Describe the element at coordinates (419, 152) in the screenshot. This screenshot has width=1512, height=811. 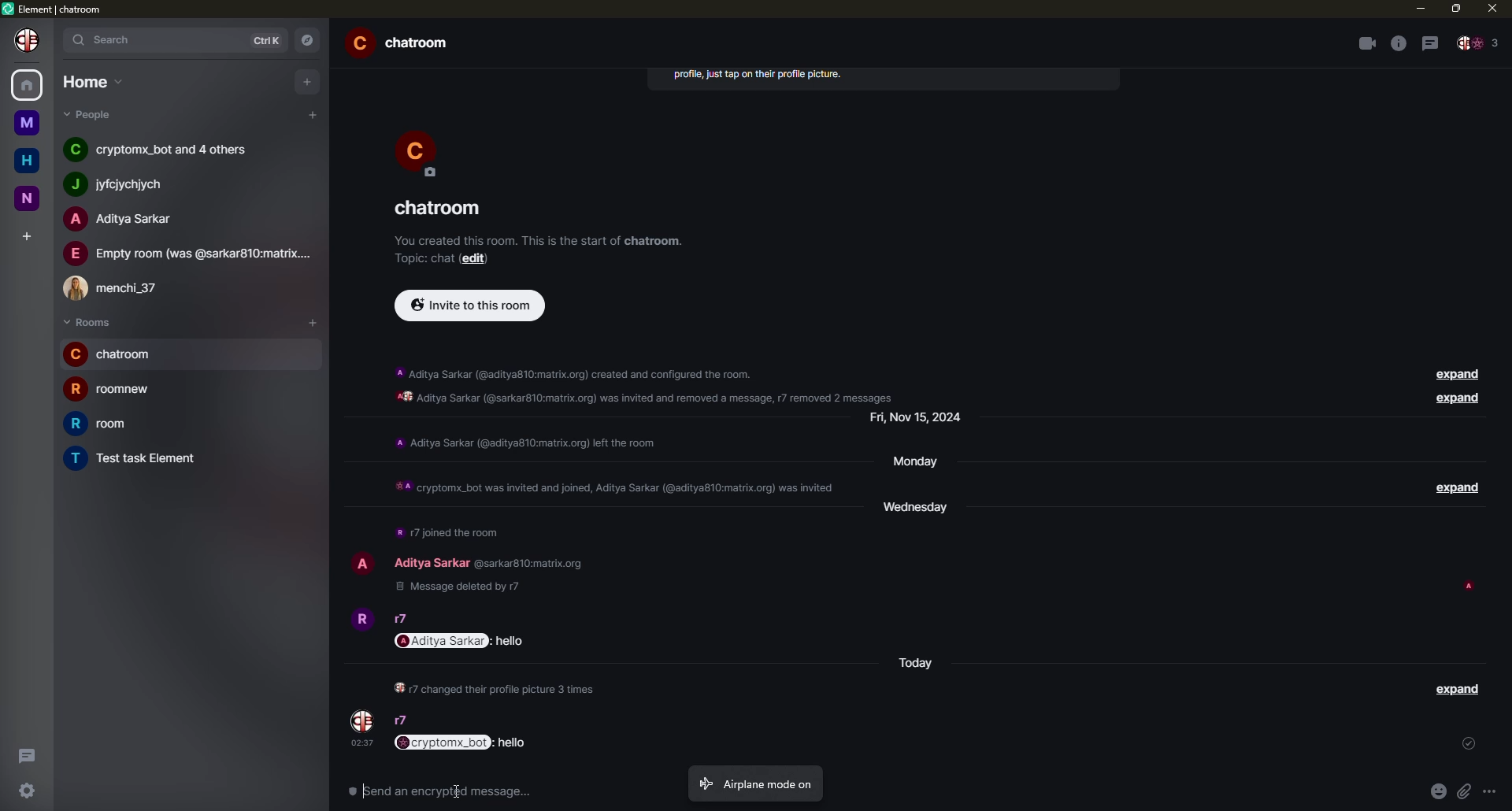
I see `profile` at that location.